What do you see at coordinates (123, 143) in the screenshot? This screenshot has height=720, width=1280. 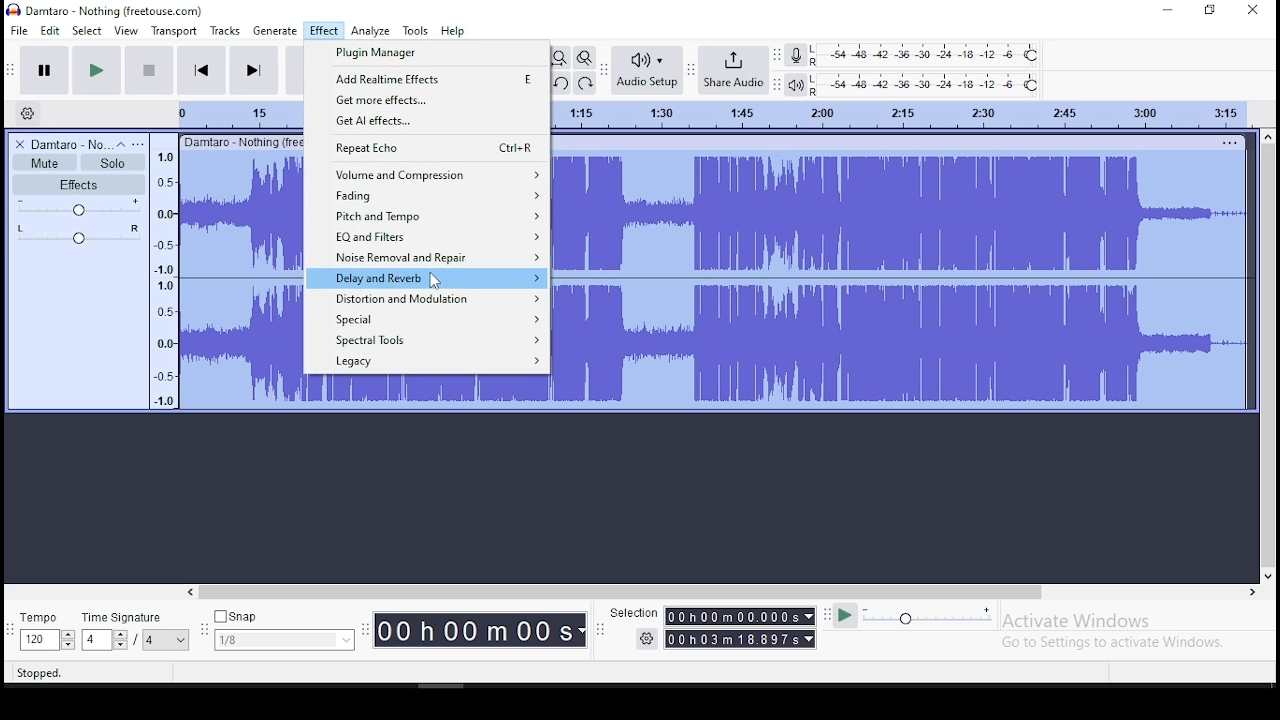 I see `collapse` at bounding box center [123, 143].